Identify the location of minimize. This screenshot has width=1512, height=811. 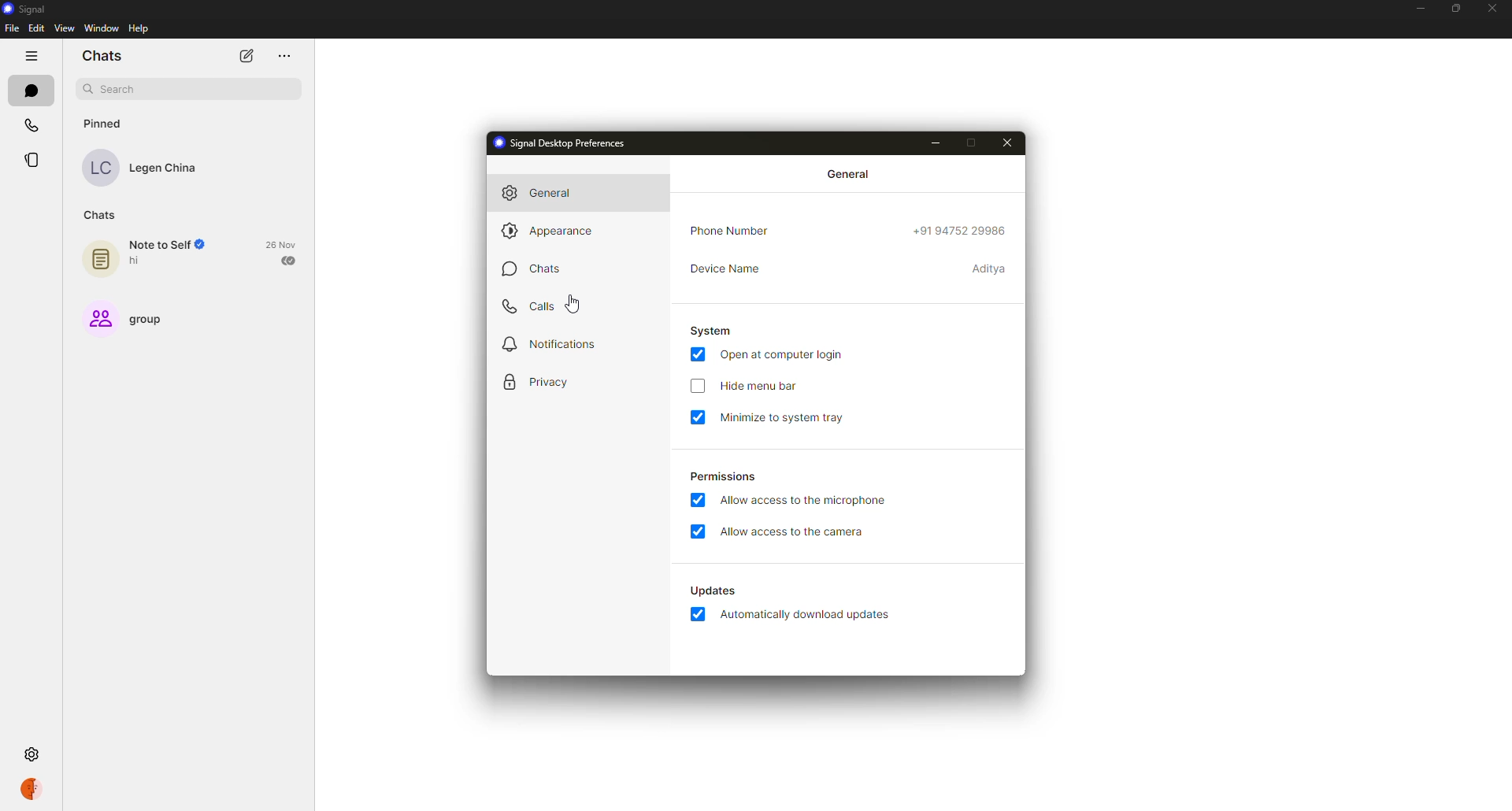
(937, 143).